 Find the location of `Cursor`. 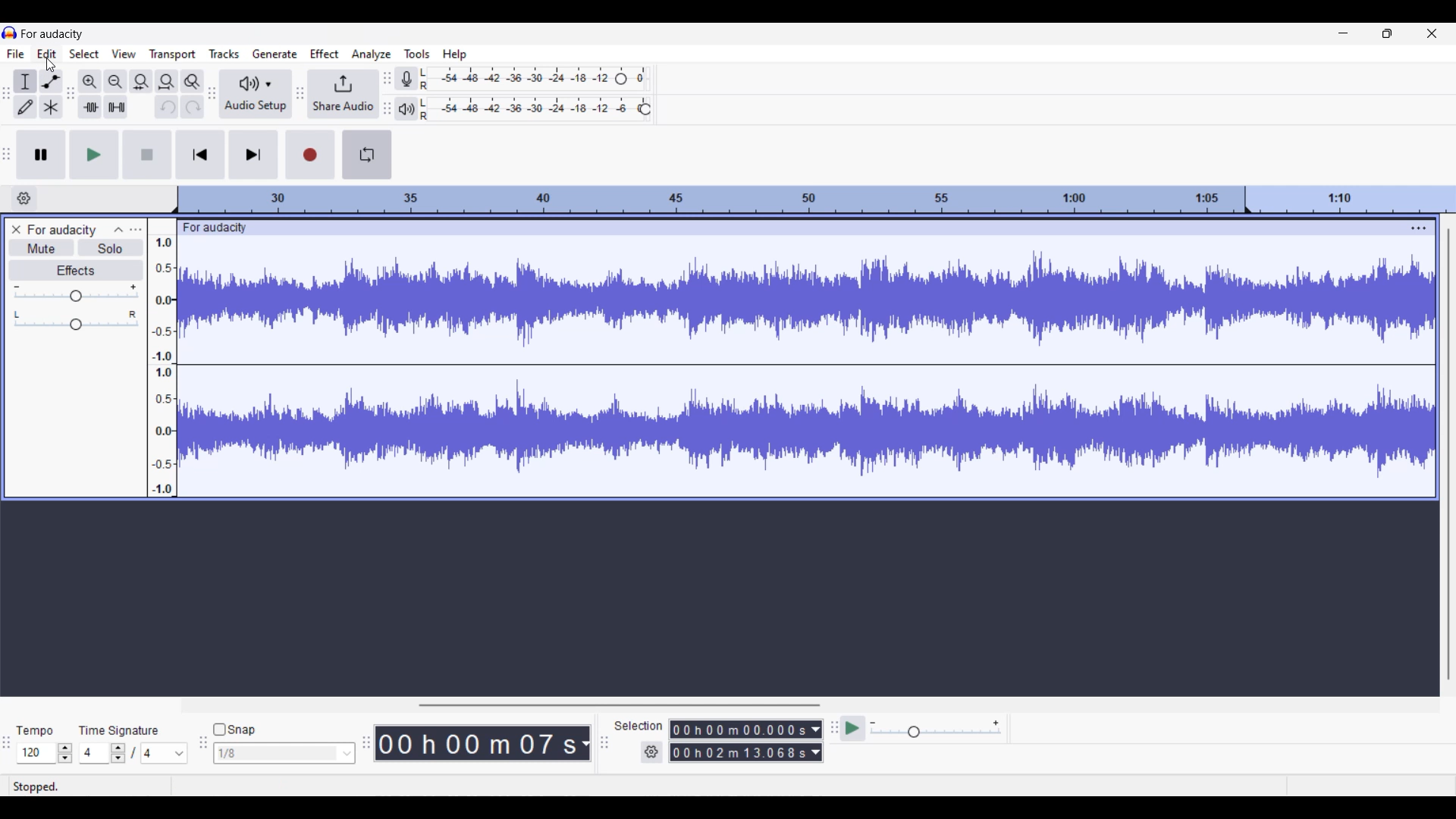

Cursor is located at coordinates (49, 64).